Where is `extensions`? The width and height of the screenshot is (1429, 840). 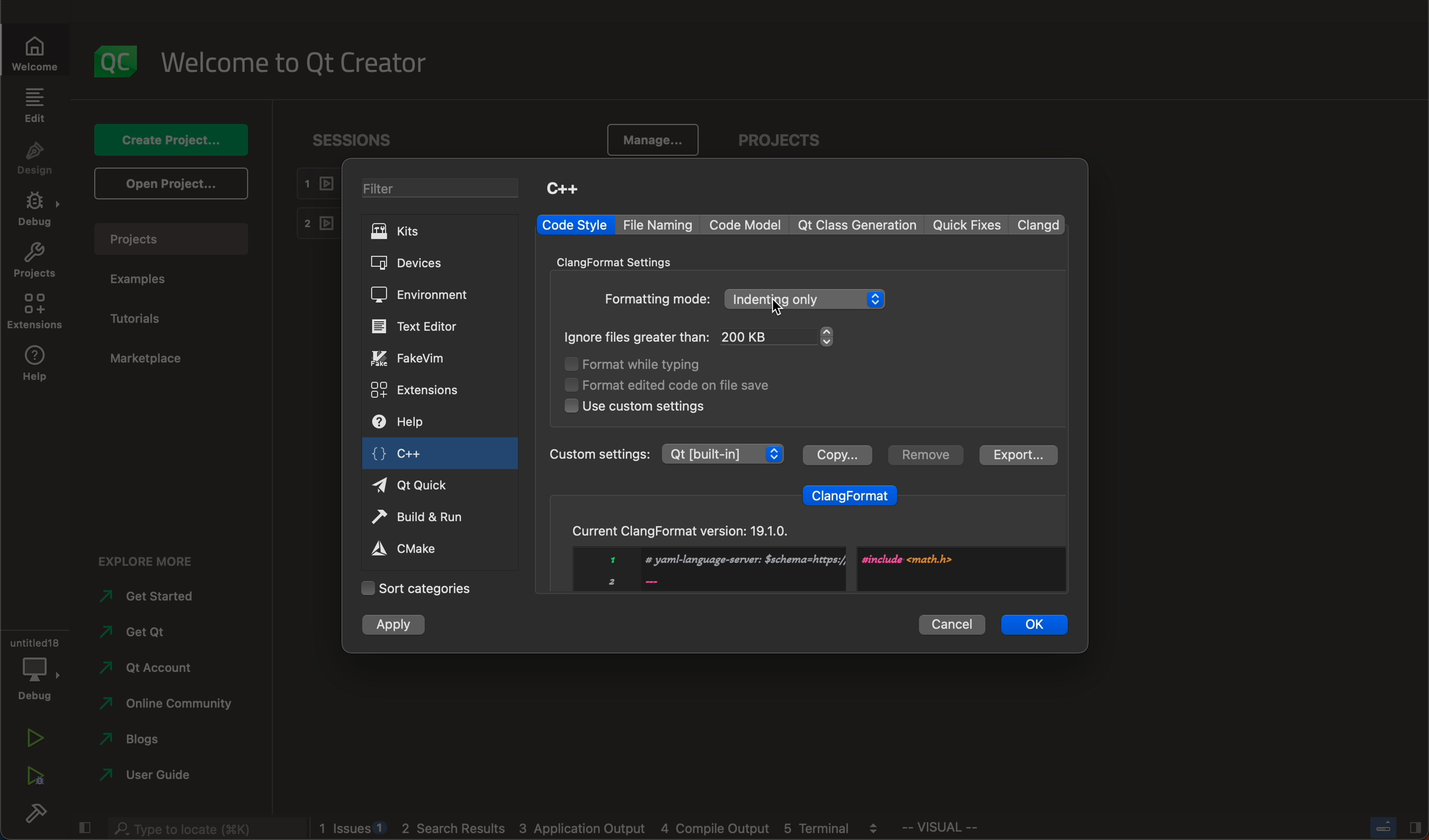
extensions is located at coordinates (34, 312).